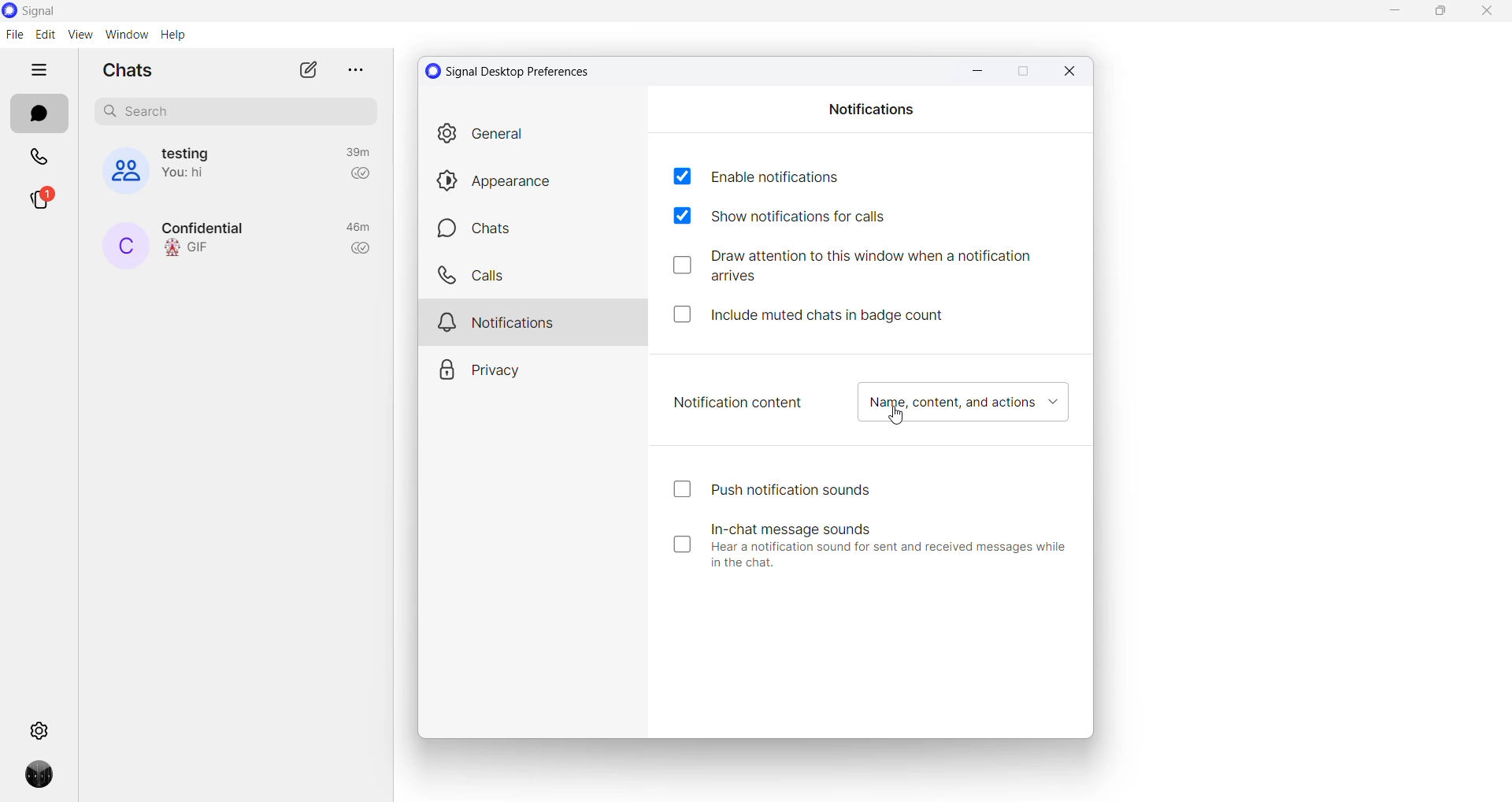 This screenshot has height=802, width=1512. Describe the element at coordinates (535, 275) in the screenshot. I see `calls` at that location.